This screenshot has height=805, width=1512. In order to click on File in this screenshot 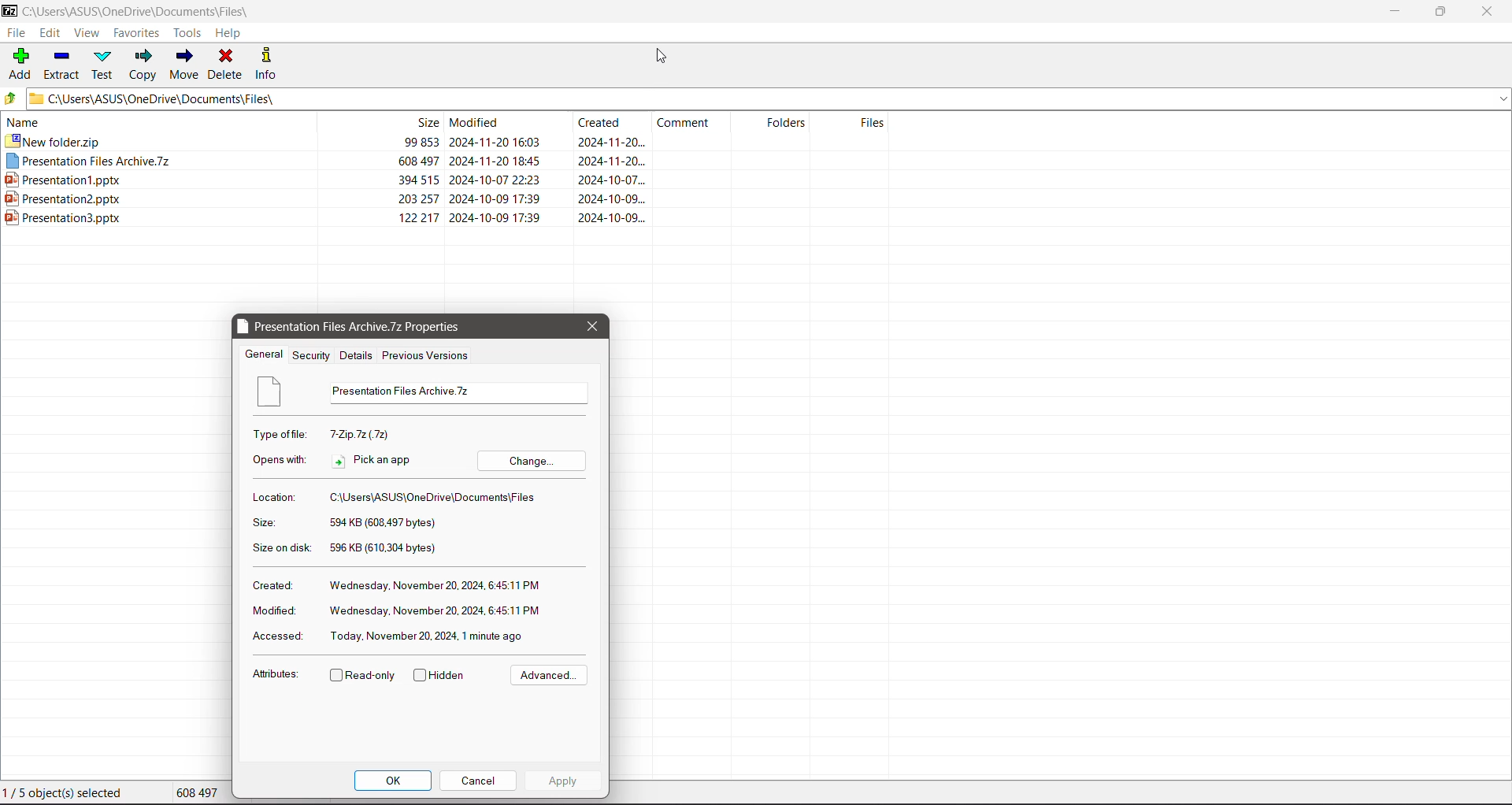, I will do `click(15, 32)`.